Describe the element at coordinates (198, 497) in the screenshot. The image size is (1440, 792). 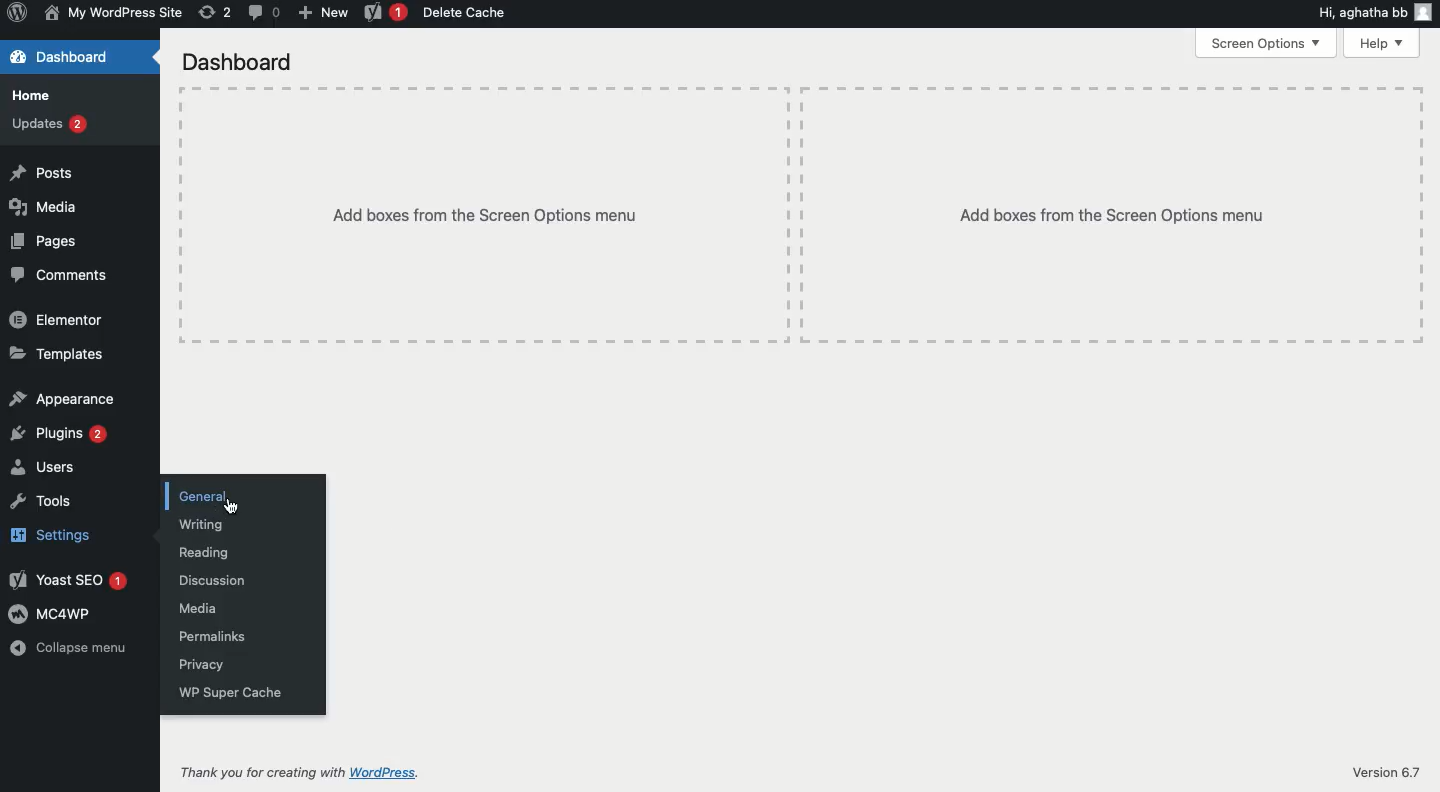
I see `General` at that location.